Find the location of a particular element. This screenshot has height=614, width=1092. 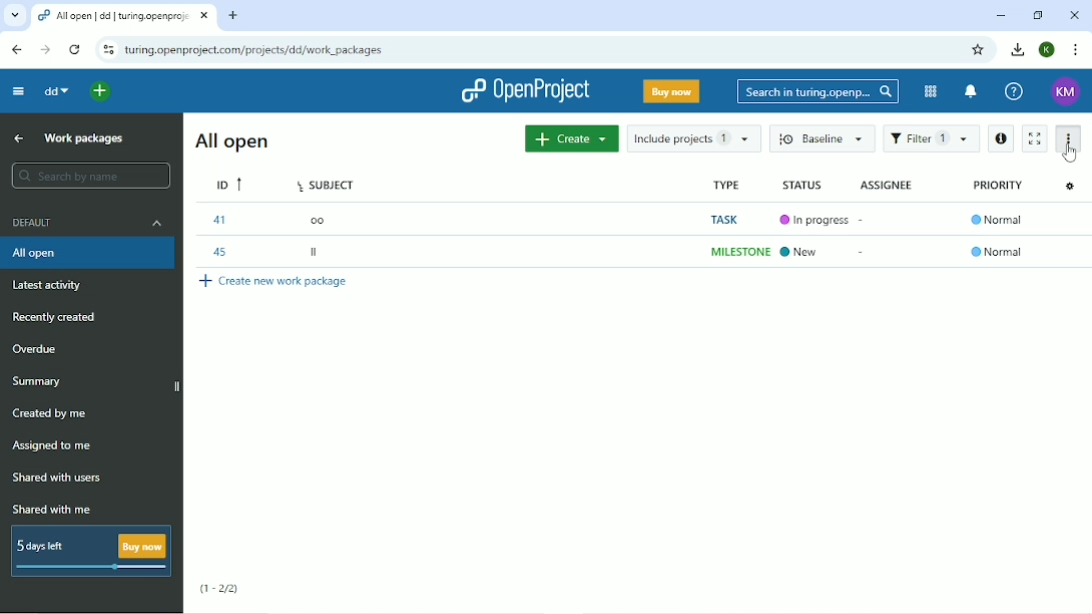

Search tabs is located at coordinates (14, 14).